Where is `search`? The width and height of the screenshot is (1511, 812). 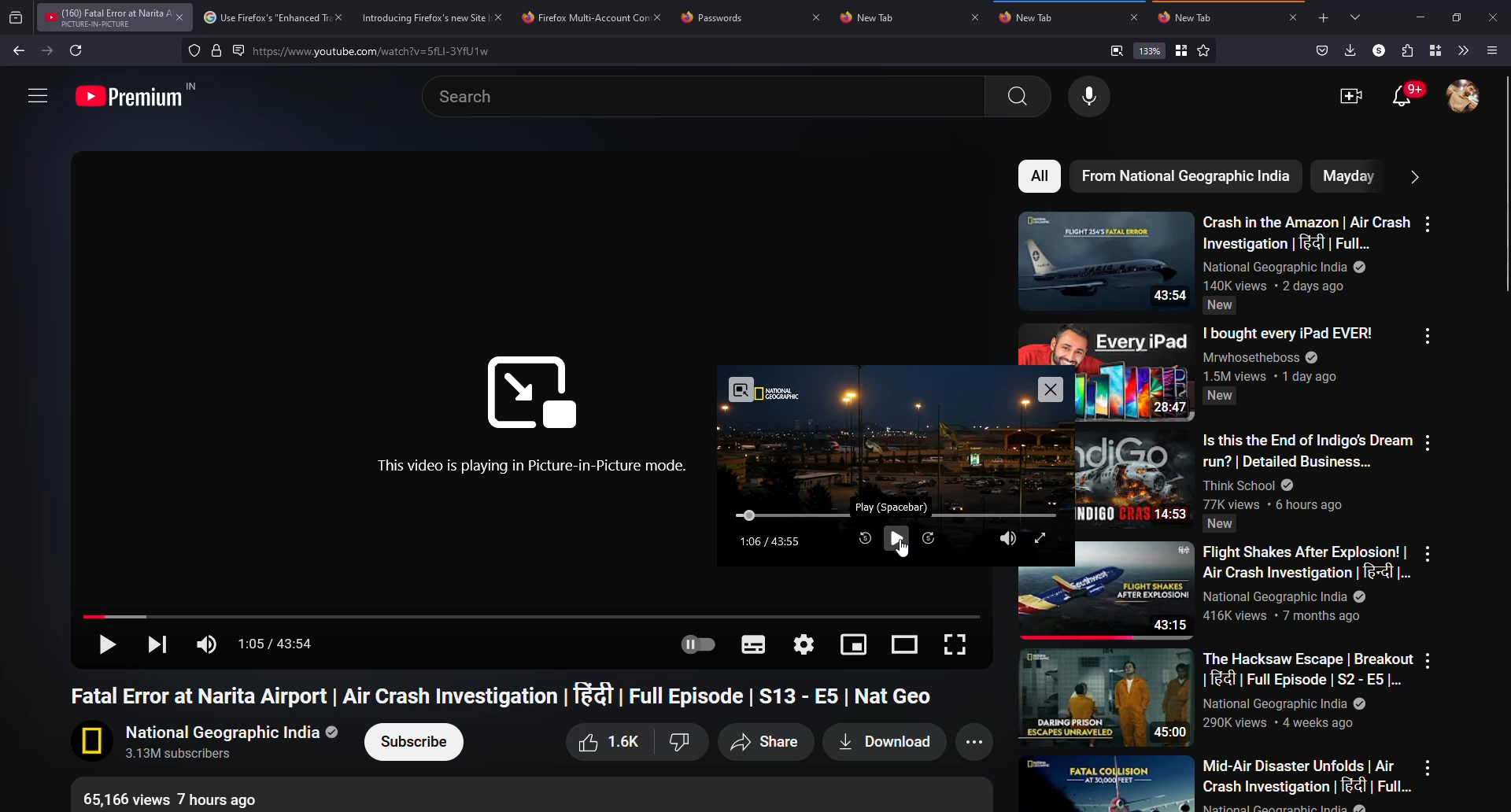 search is located at coordinates (382, 52).